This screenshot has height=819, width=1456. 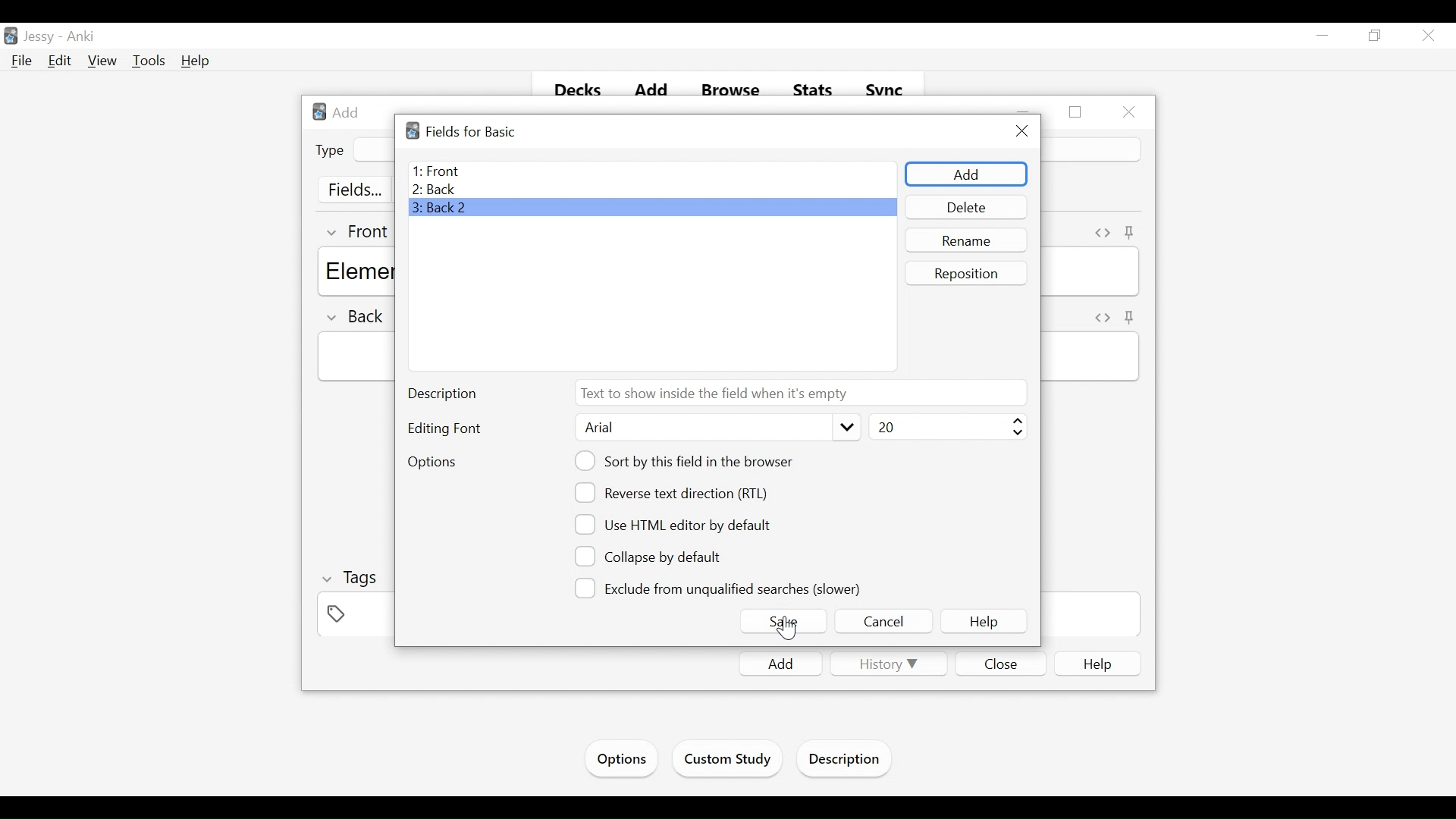 I want to click on Save, so click(x=784, y=621).